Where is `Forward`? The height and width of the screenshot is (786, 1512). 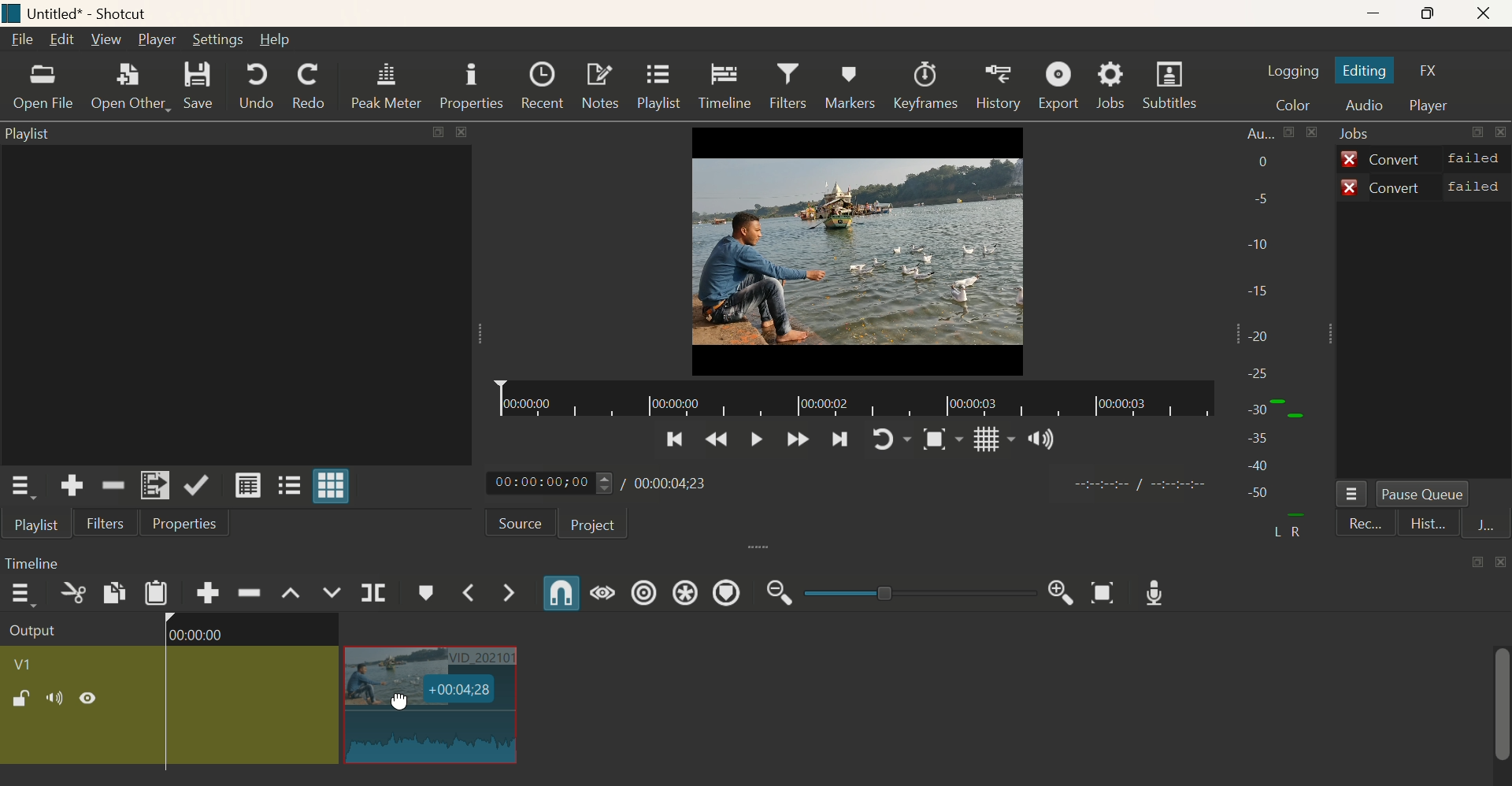
Forward is located at coordinates (795, 440).